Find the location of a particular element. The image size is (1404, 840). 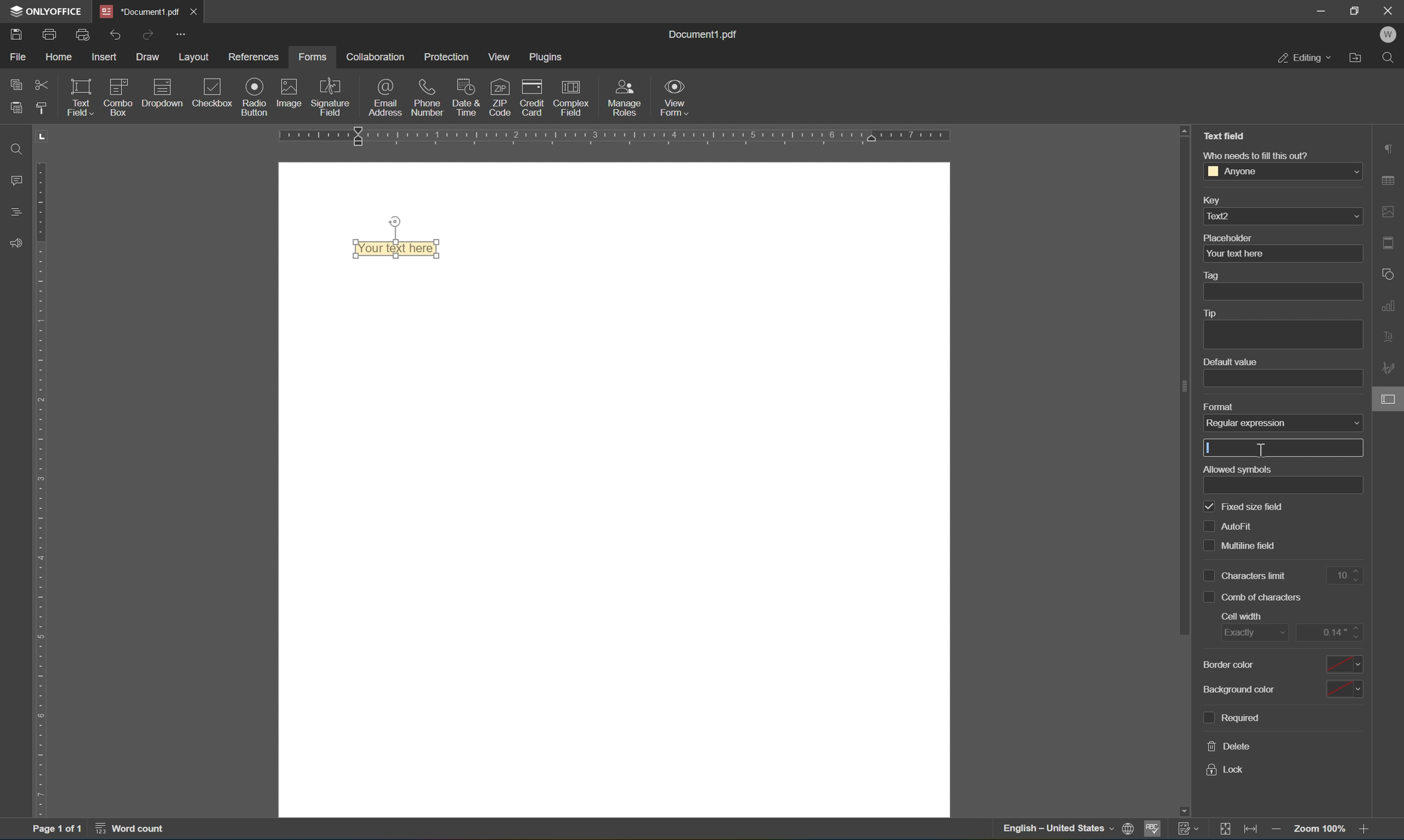

references is located at coordinates (256, 57).